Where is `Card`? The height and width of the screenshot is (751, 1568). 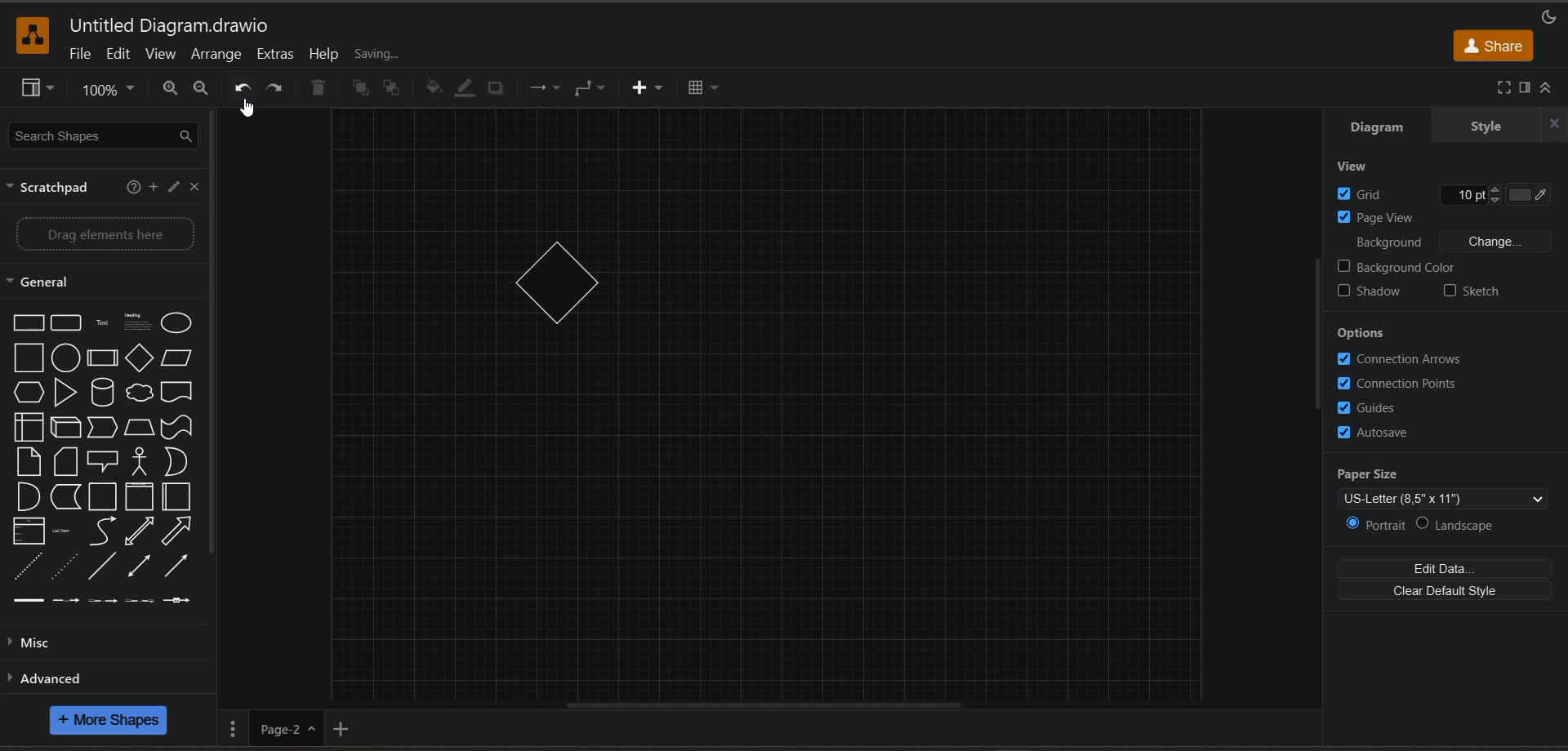 Card is located at coordinates (64, 461).